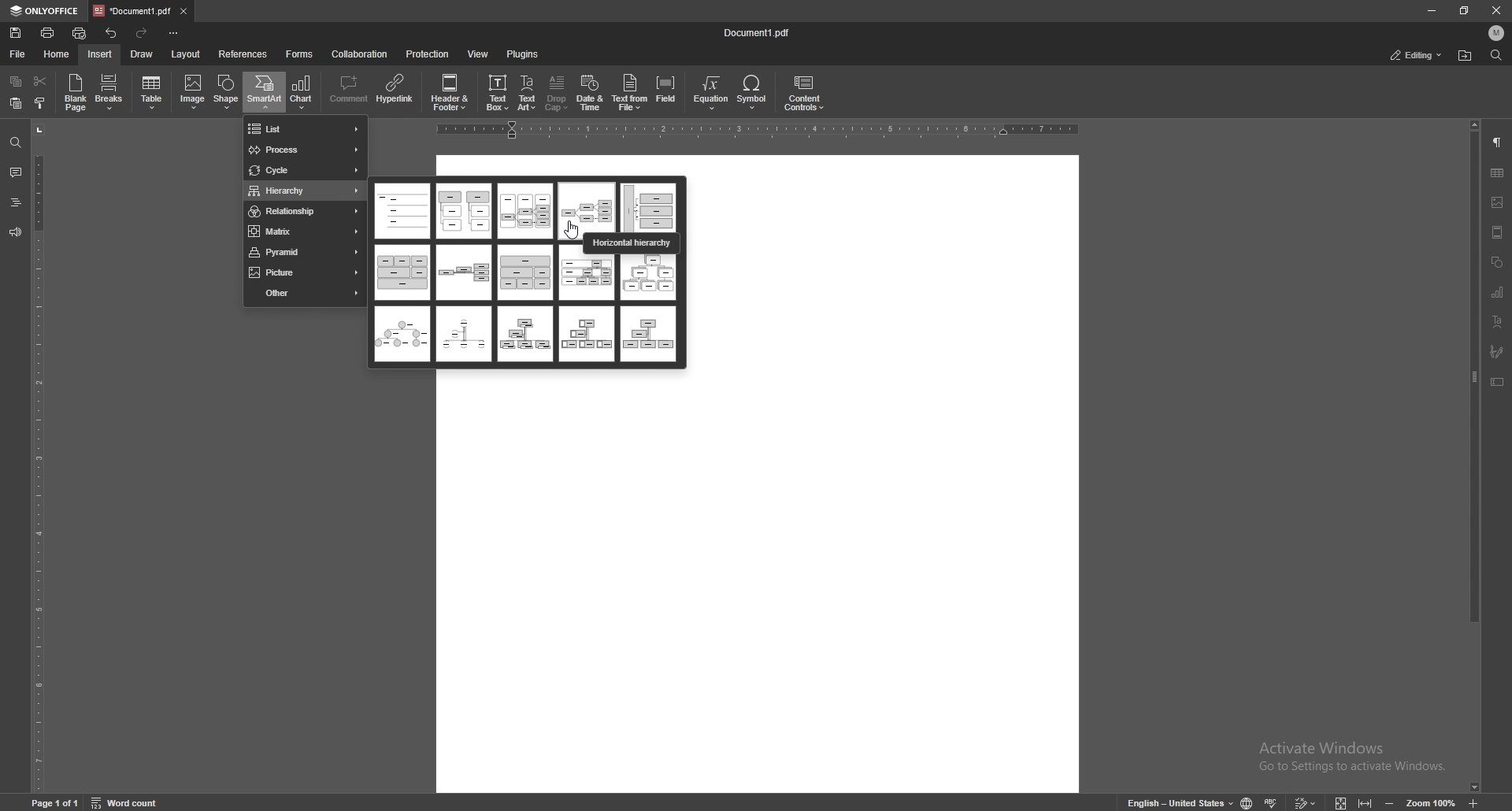 The height and width of the screenshot is (811, 1512). I want to click on change doc language, so click(1247, 802).